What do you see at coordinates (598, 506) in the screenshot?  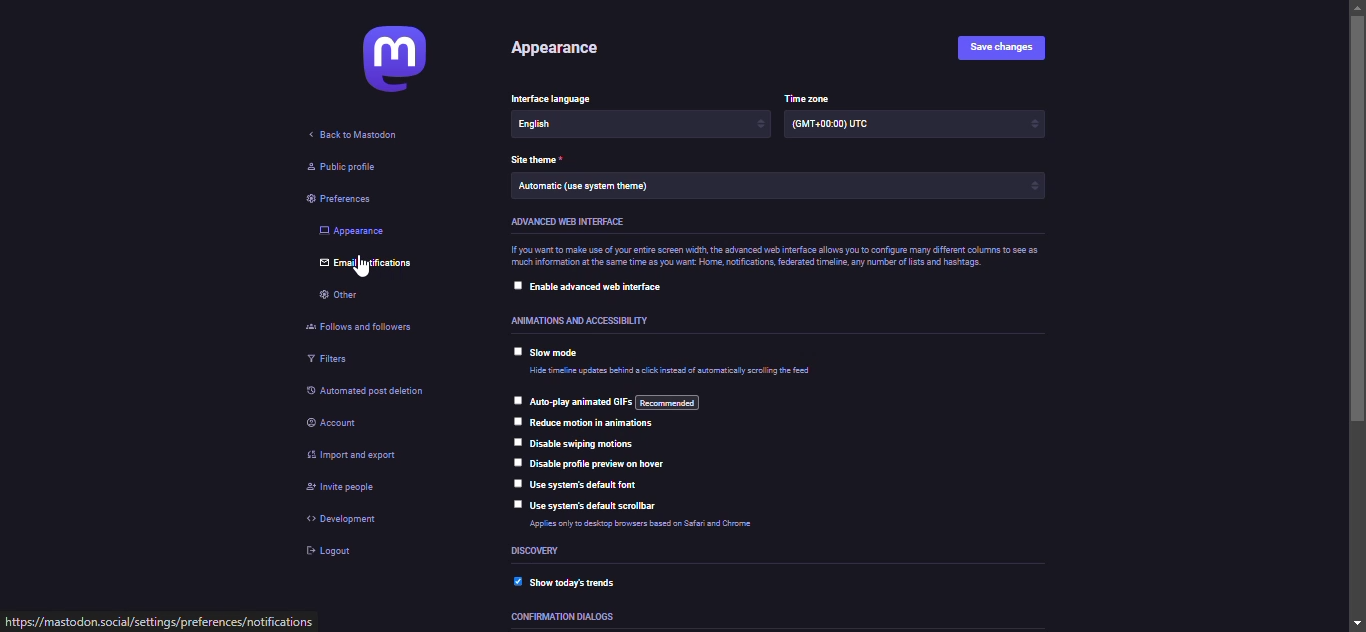 I see `use system's default scrollbar` at bounding box center [598, 506].